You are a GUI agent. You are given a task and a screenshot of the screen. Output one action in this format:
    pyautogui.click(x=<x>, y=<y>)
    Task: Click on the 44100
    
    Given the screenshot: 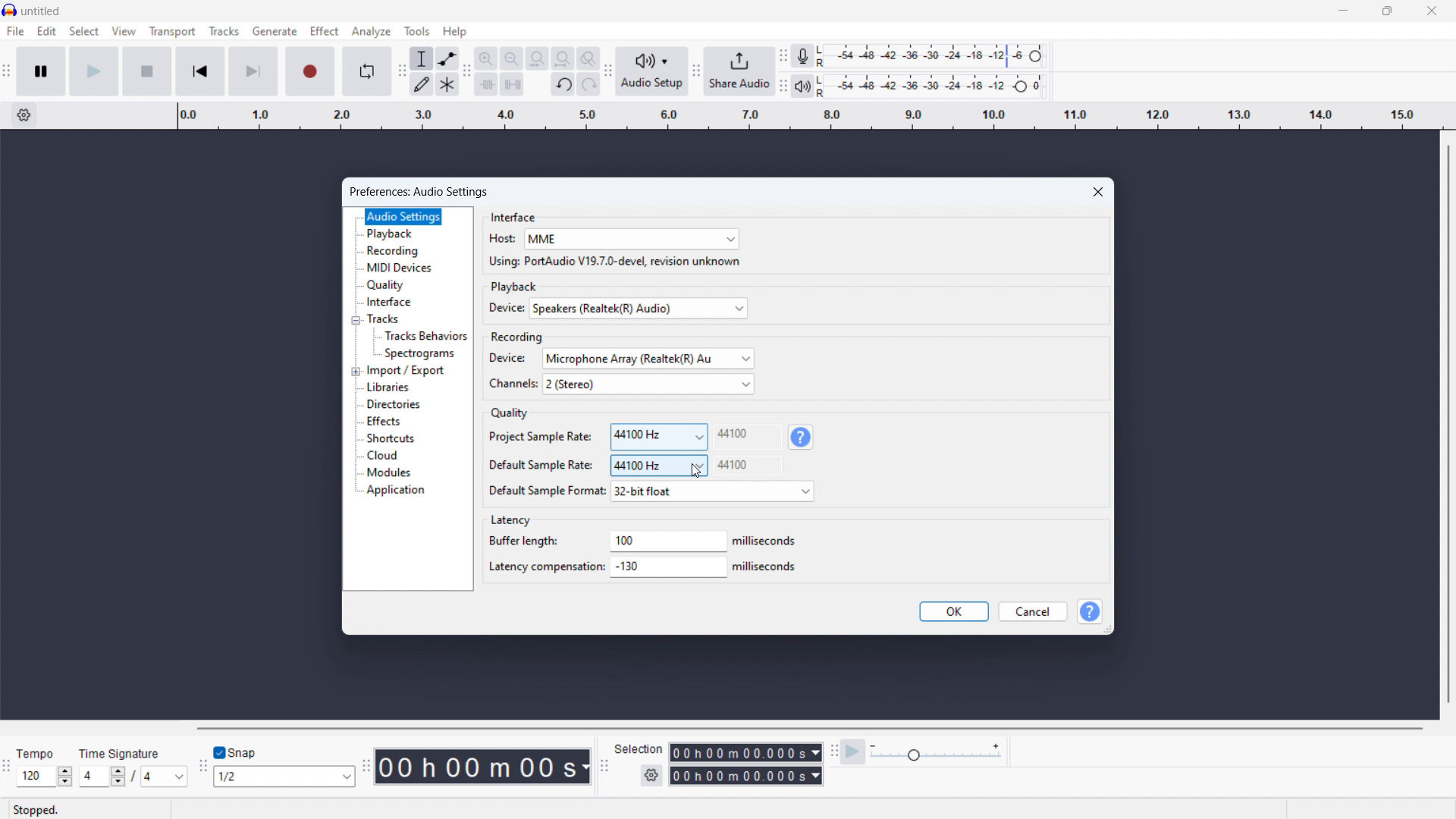 What is the action you would take?
    pyautogui.click(x=748, y=465)
    